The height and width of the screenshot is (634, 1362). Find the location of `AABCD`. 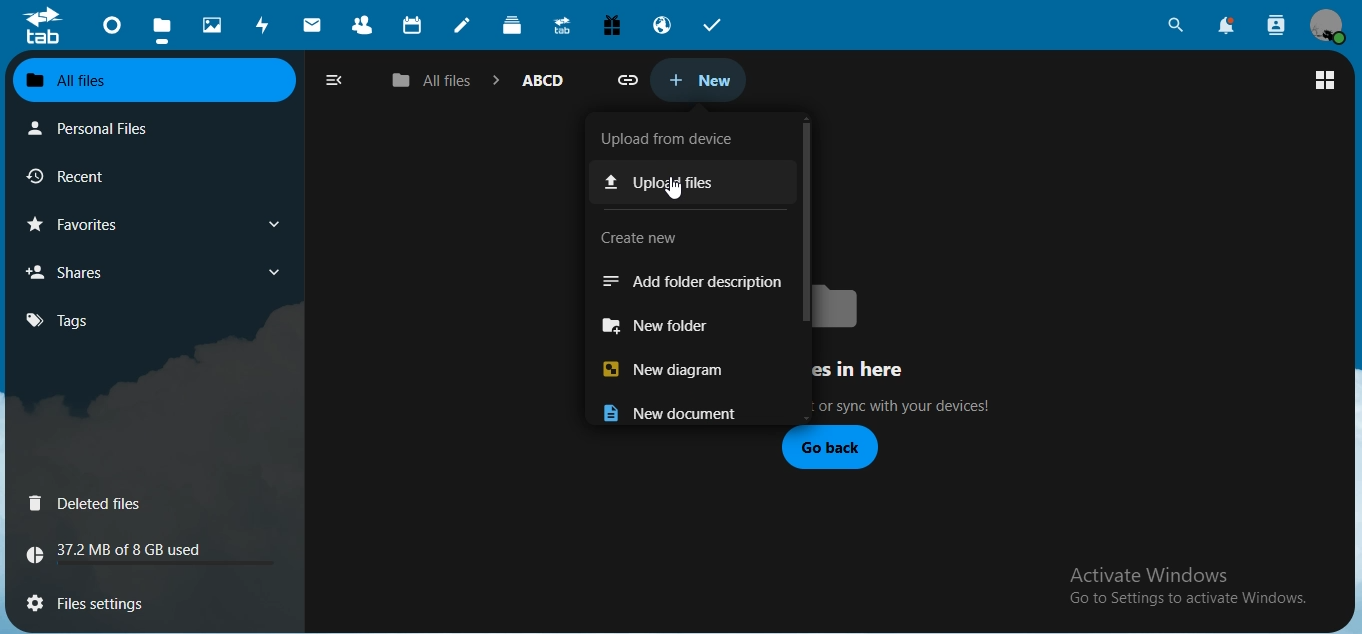

AABCD is located at coordinates (543, 79).